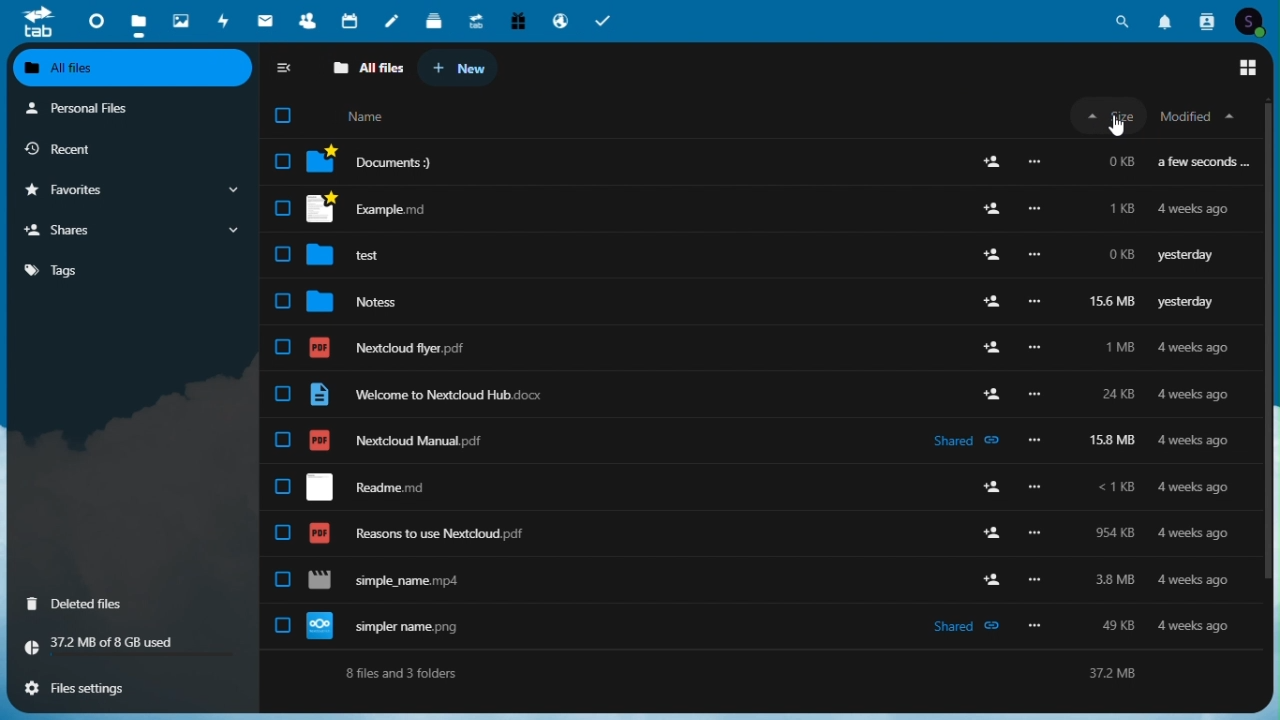  What do you see at coordinates (758, 488) in the screenshot?
I see `J) J Readme` at bounding box center [758, 488].